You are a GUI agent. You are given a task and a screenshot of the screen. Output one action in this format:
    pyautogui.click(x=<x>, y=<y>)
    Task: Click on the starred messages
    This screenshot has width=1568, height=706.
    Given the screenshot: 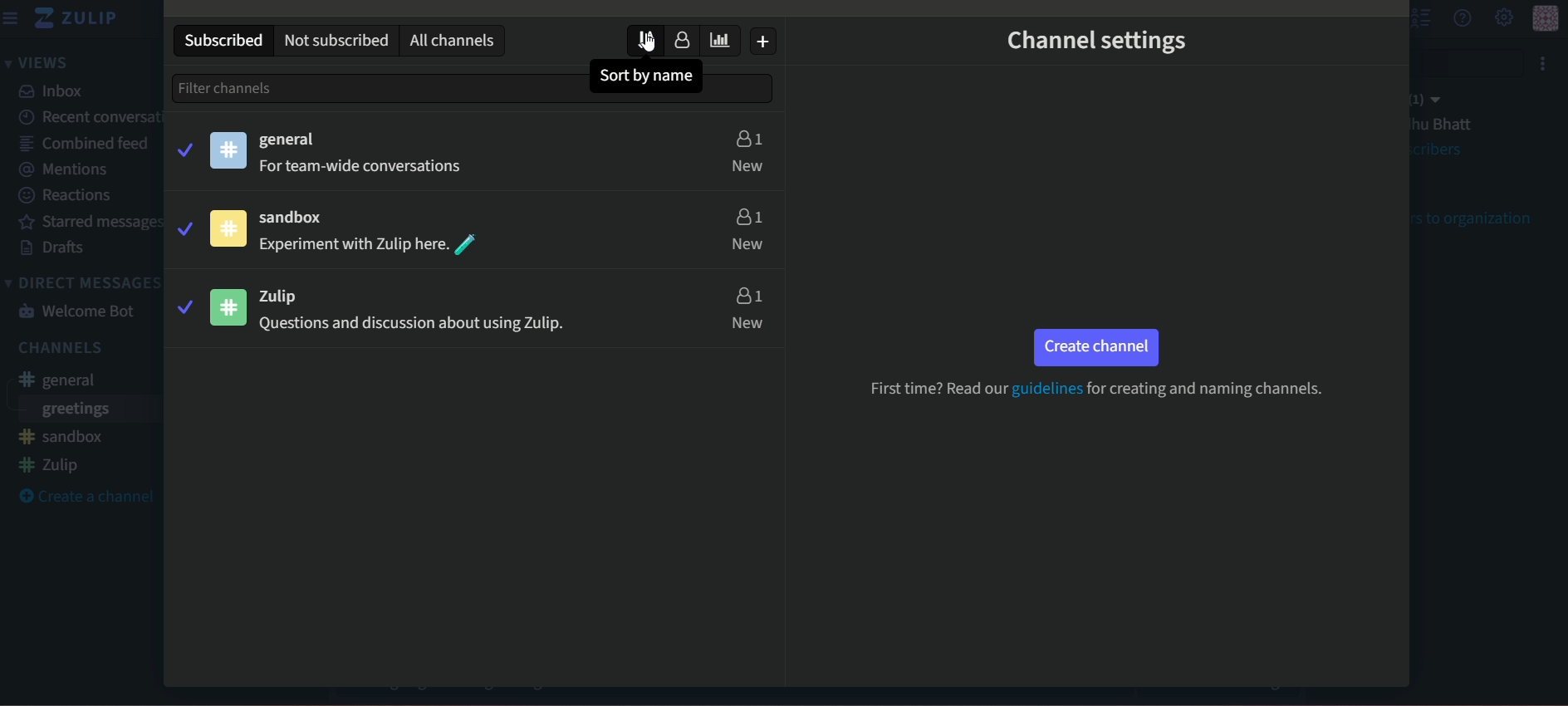 What is the action you would take?
    pyautogui.click(x=90, y=222)
    